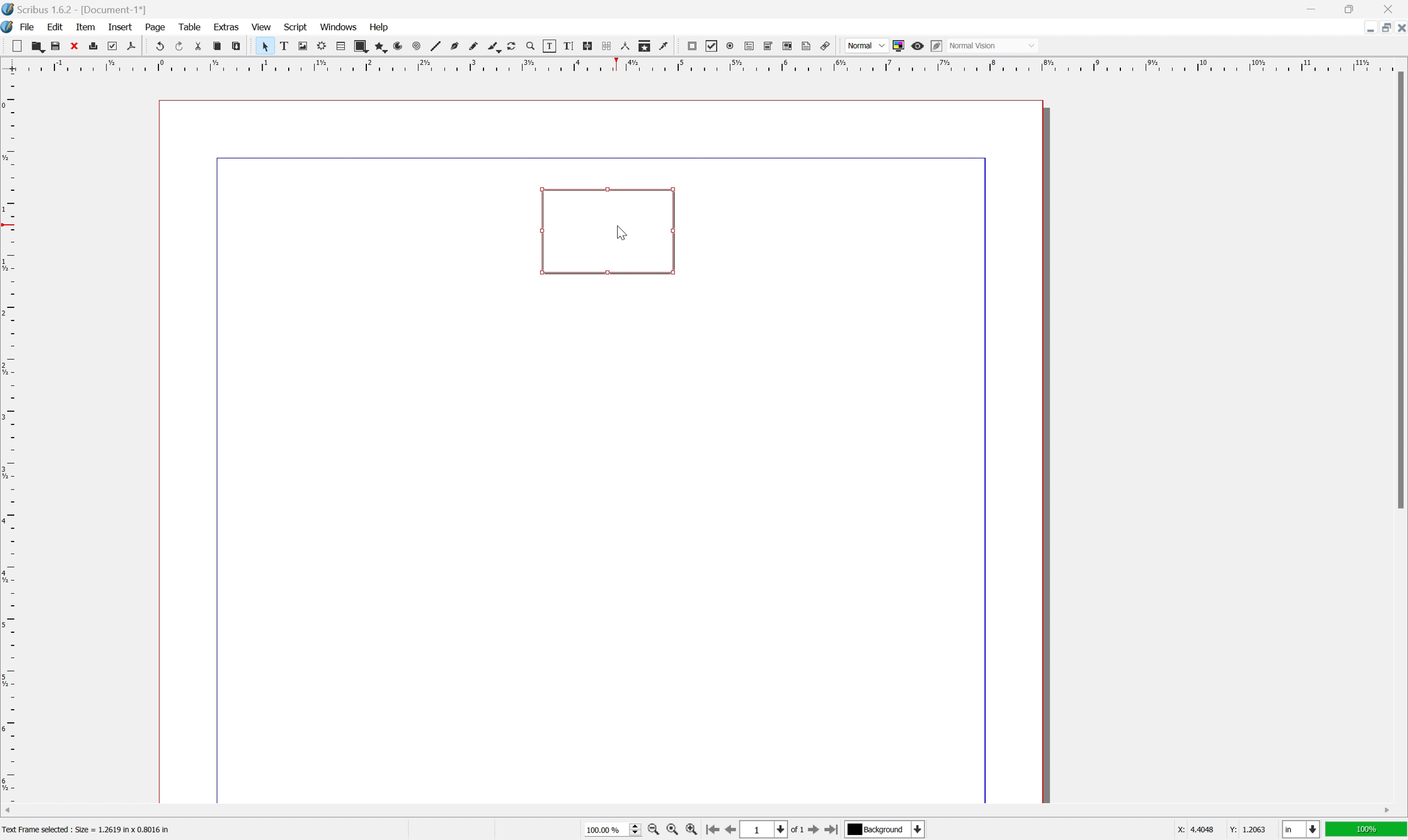 This screenshot has width=1408, height=840. Describe the element at coordinates (340, 46) in the screenshot. I see `table` at that location.